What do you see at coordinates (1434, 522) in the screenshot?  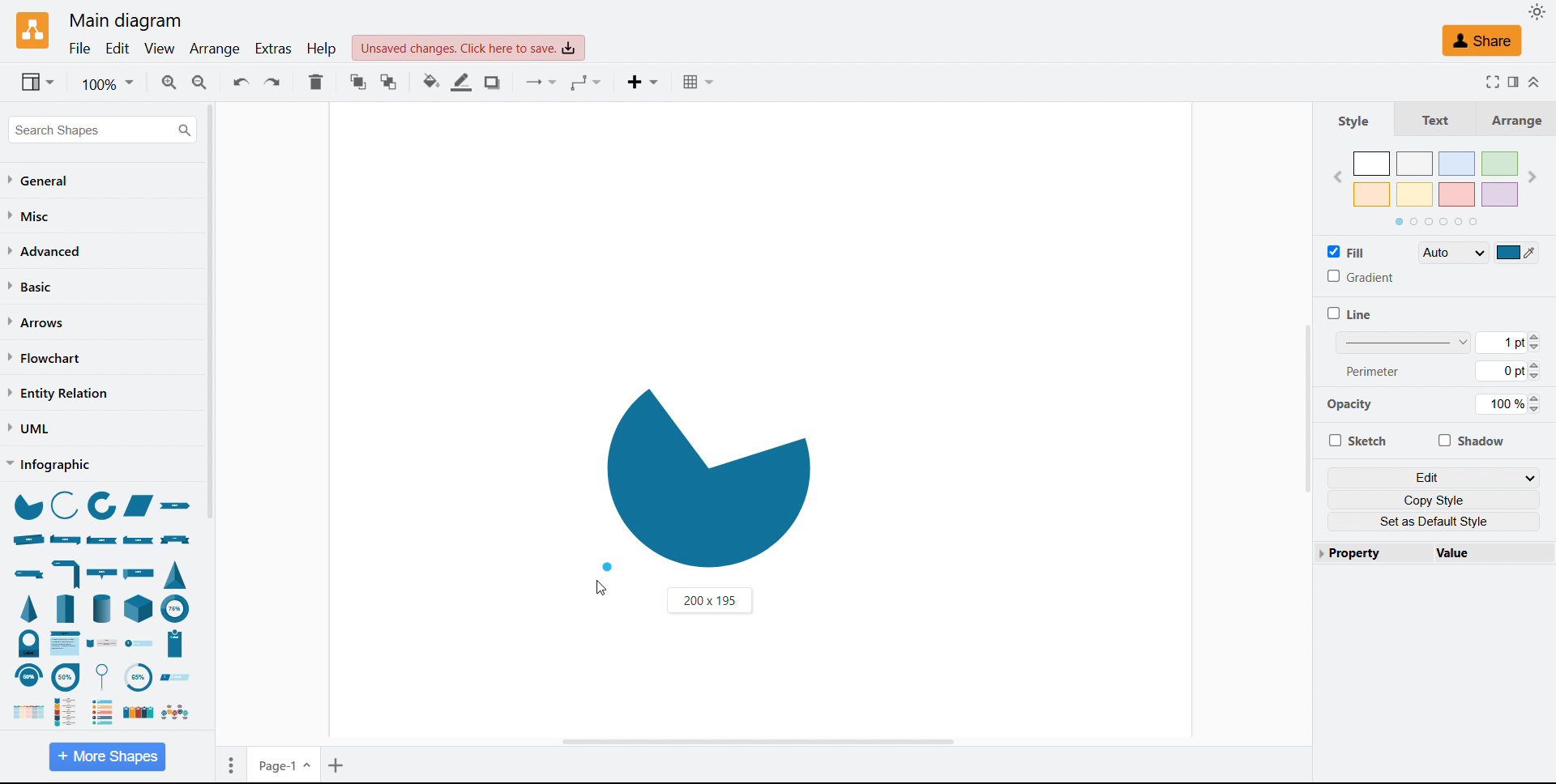 I see `Set as default style ` at bounding box center [1434, 522].